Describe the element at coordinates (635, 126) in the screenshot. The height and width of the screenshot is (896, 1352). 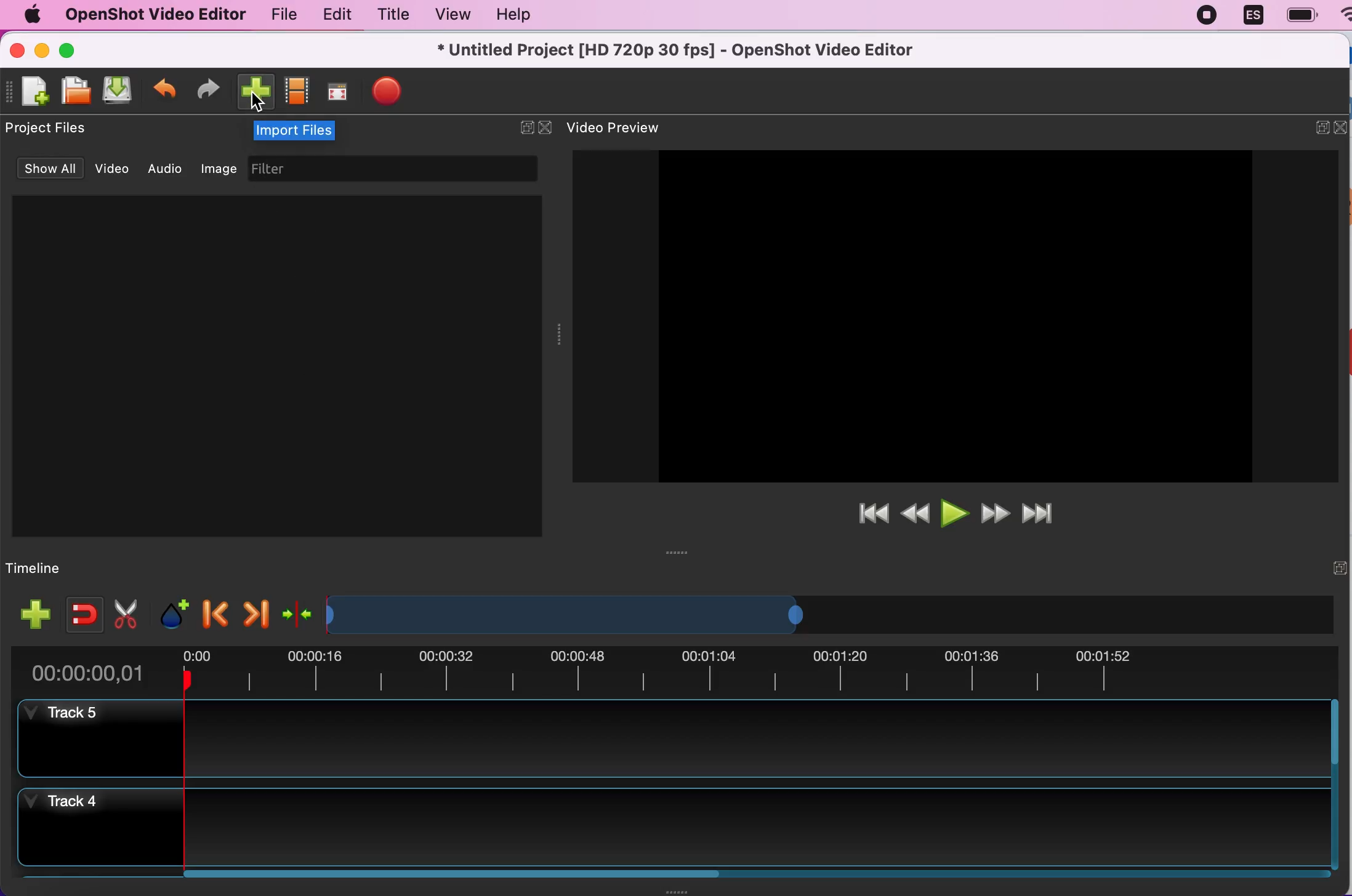
I see `video preview` at that location.